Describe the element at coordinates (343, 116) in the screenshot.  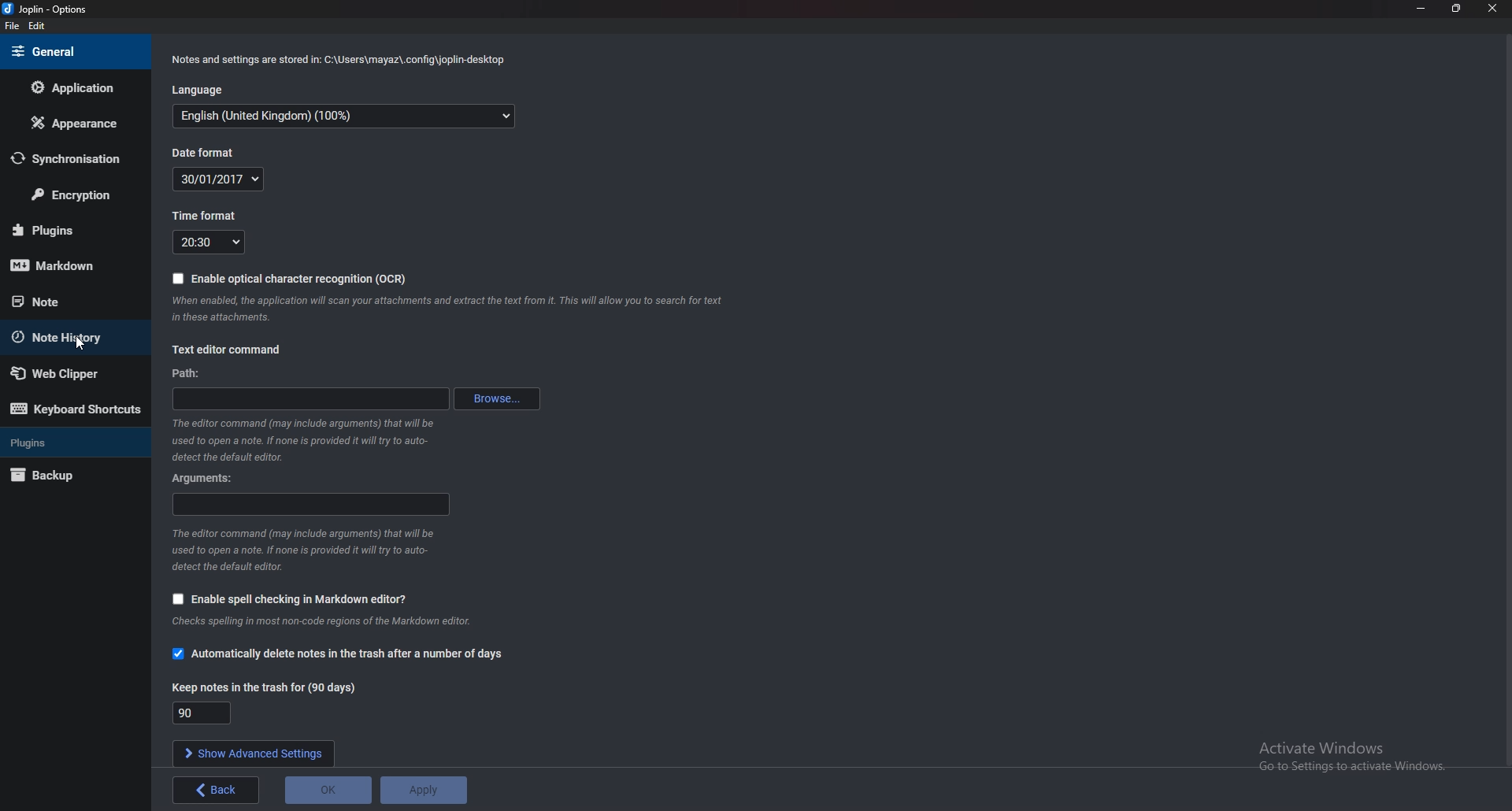
I see `English (United Kingdom) (100%)` at that location.